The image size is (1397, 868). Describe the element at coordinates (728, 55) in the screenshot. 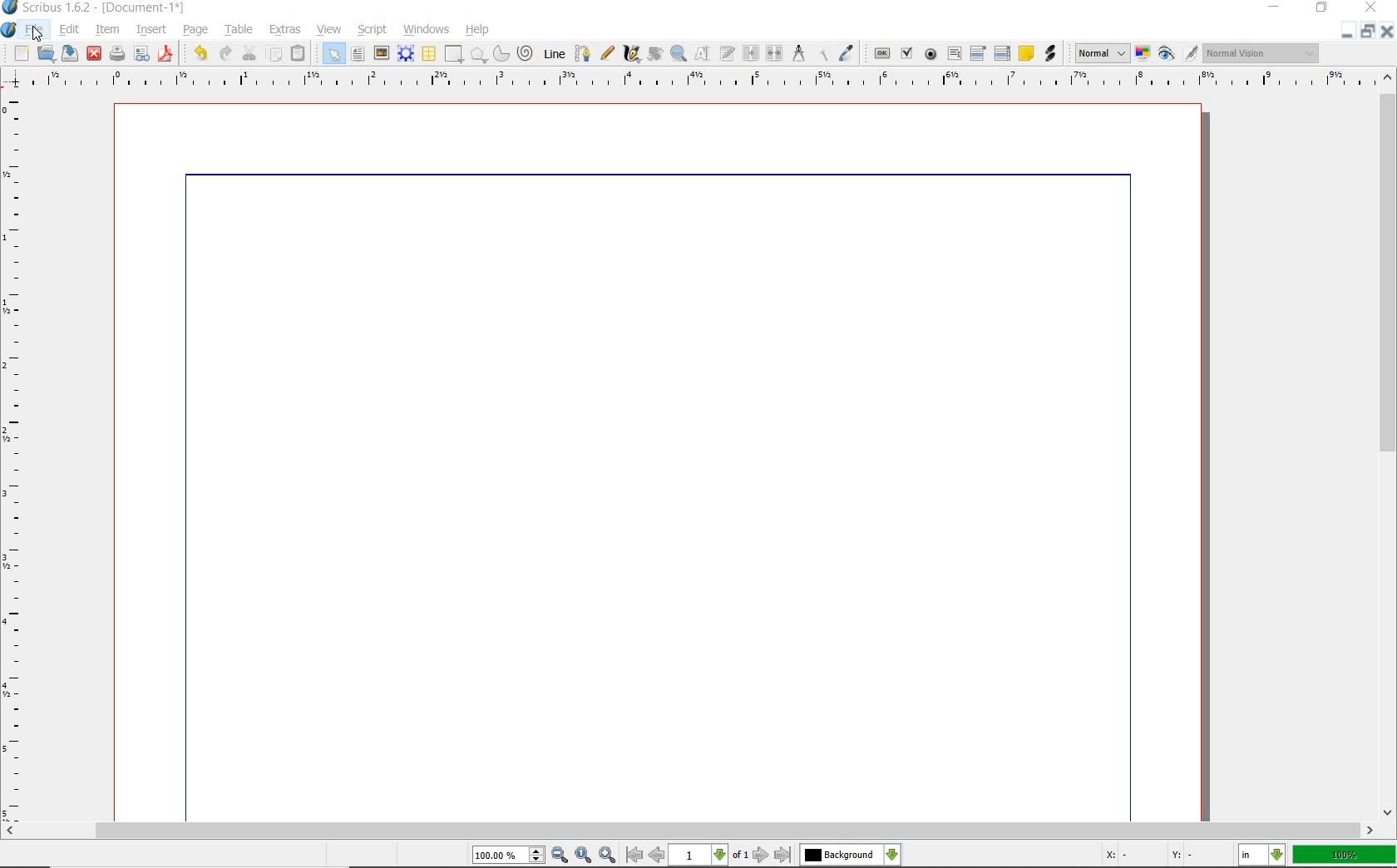

I see `edit text with story editor` at that location.